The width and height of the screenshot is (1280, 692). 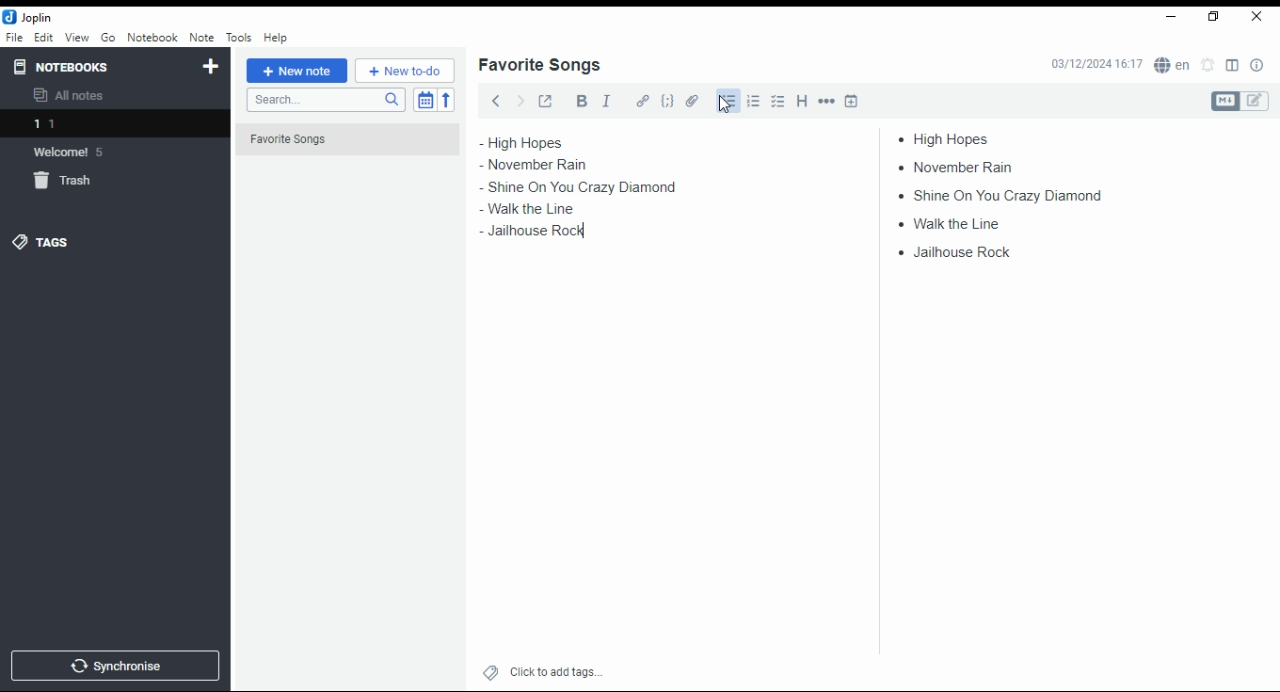 I want to click on all notes, so click(x=74, y=96).